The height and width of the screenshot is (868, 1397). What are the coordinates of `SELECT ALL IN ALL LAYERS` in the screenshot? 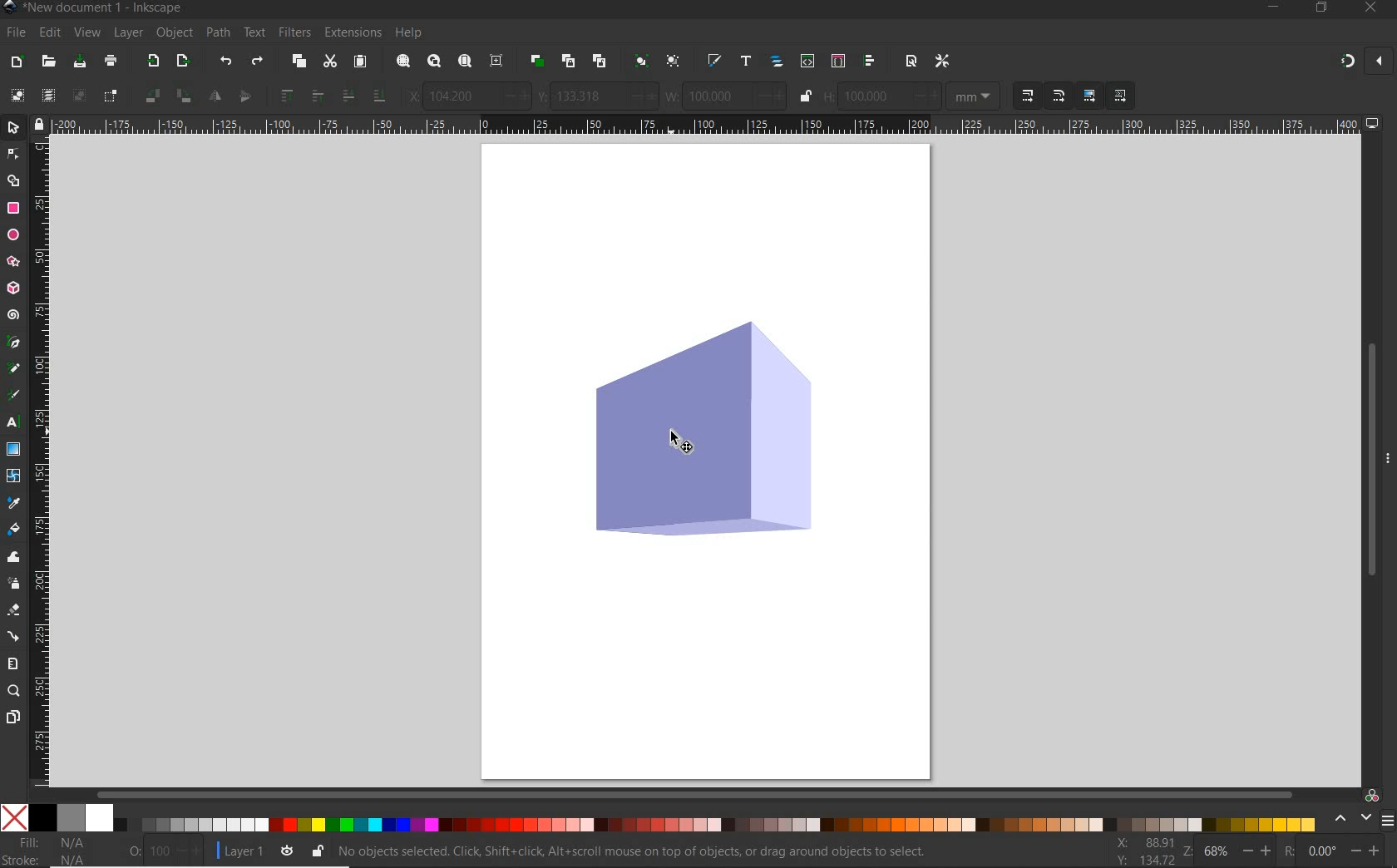 It's located at (47, 95).